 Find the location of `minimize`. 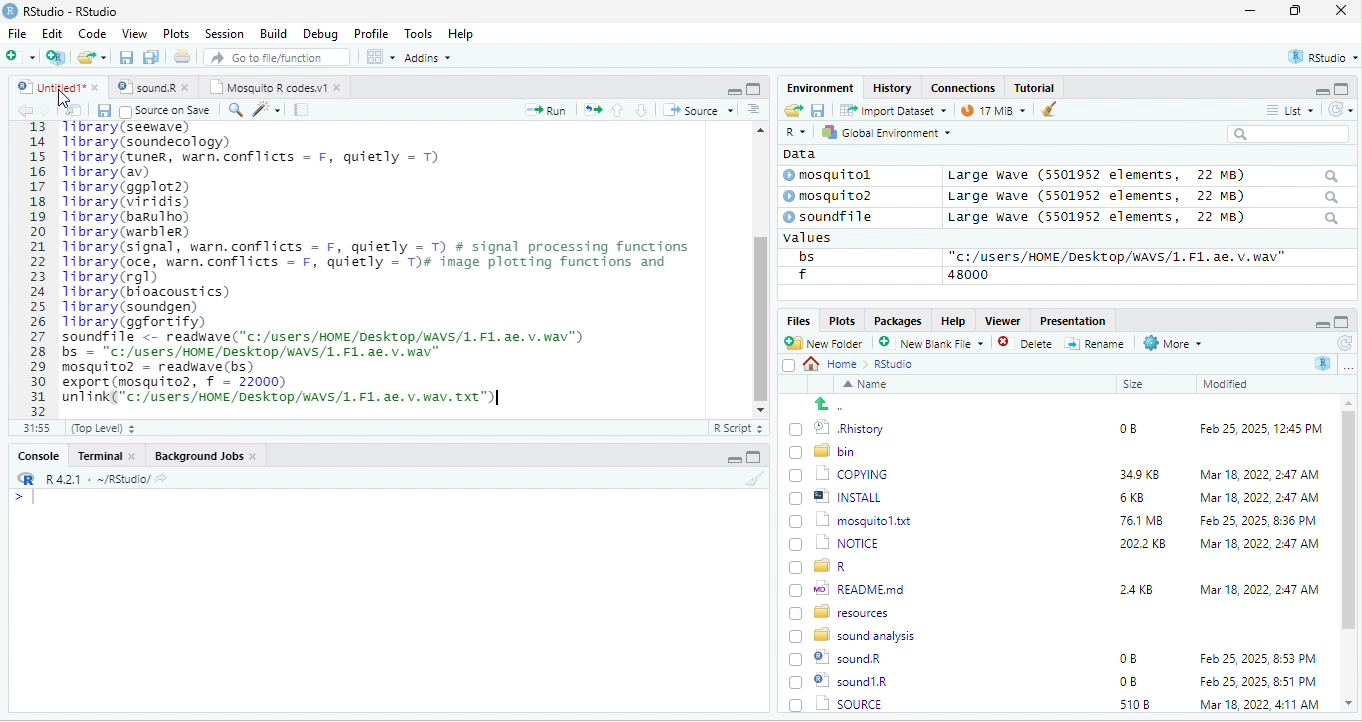

minimize is located at coordinates (1250, 12).